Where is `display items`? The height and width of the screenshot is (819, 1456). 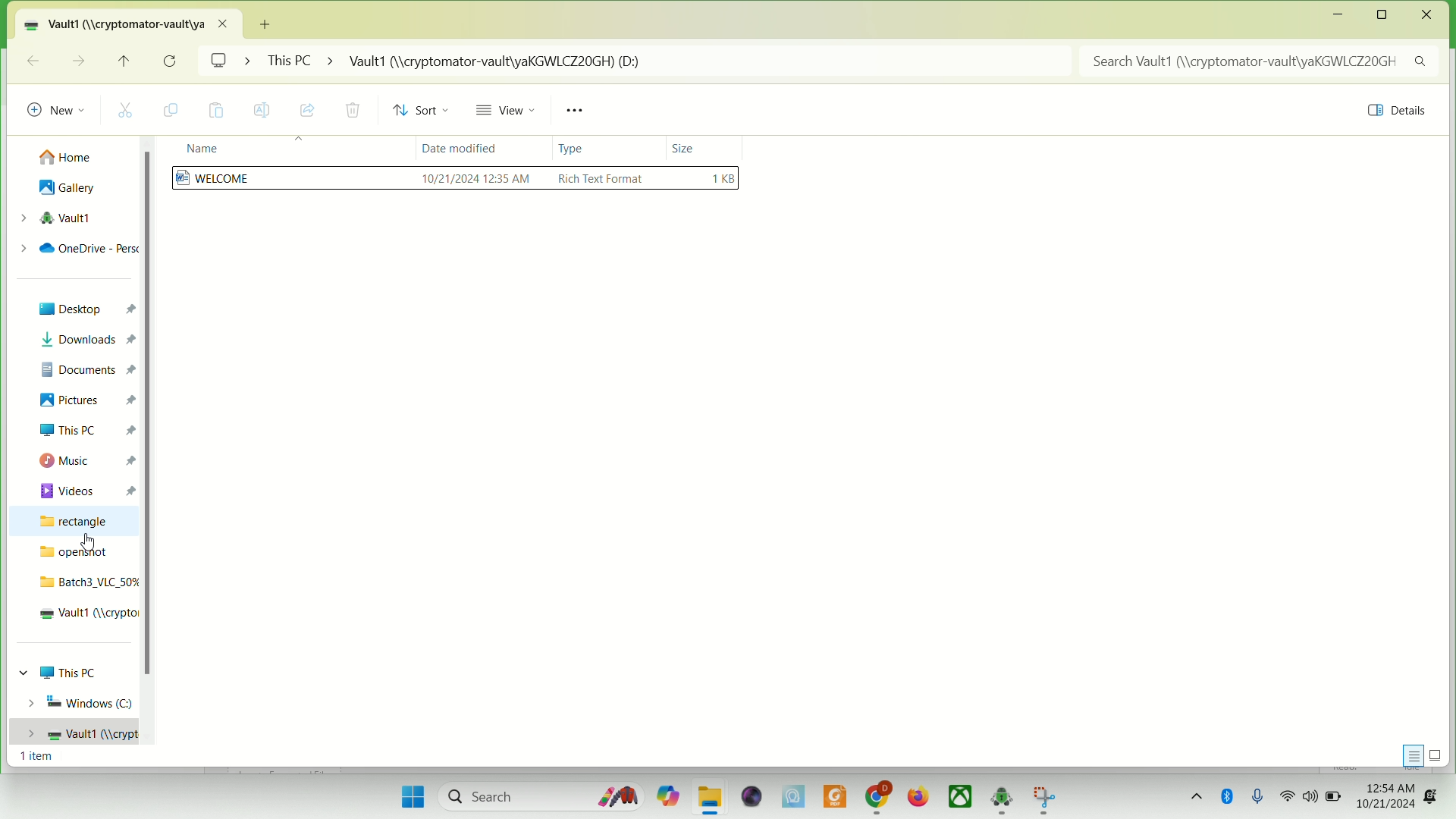 display items is located at coordinates (1439, 755).